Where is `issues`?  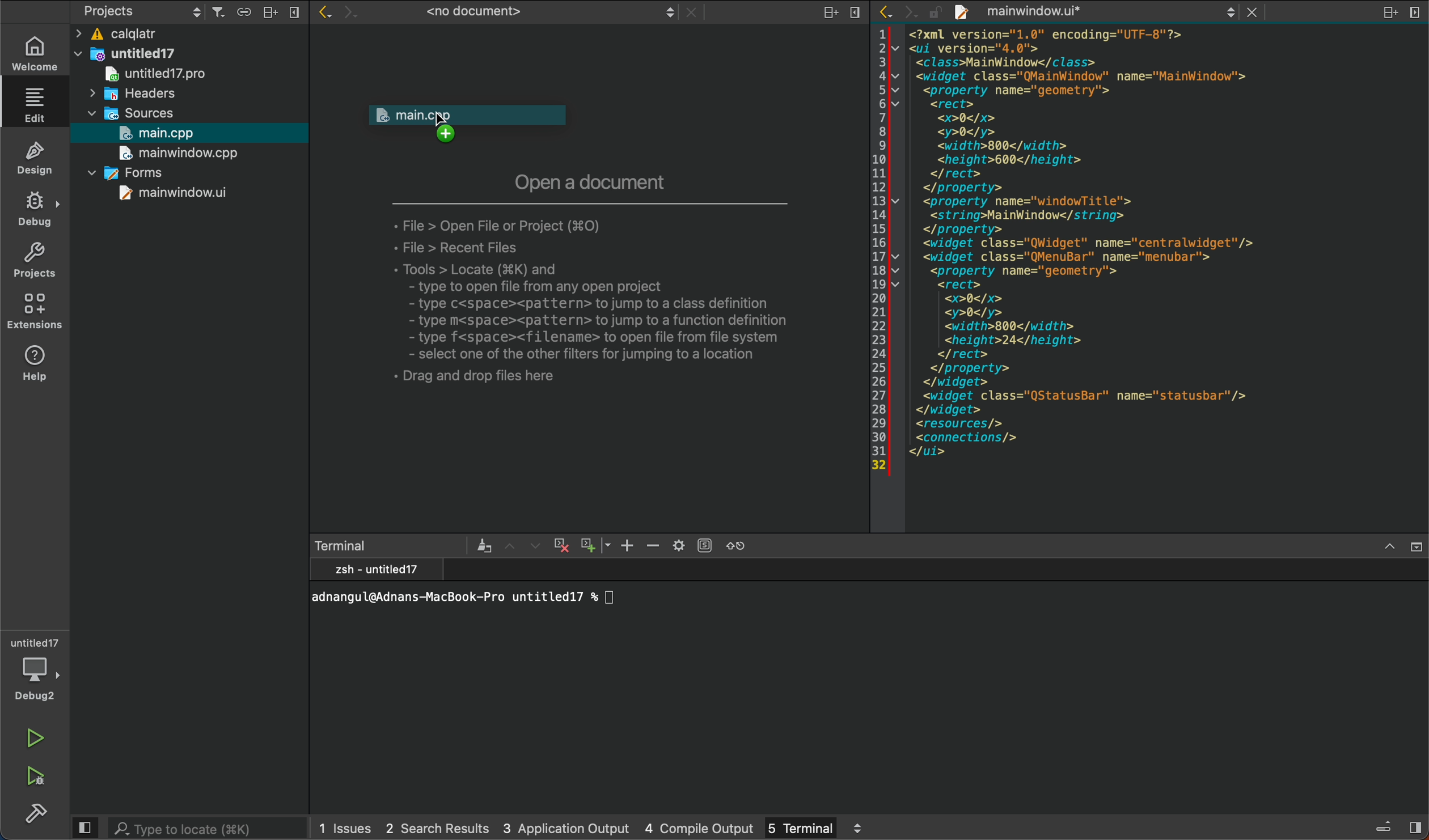
issues is located at coordinates (346, 827).